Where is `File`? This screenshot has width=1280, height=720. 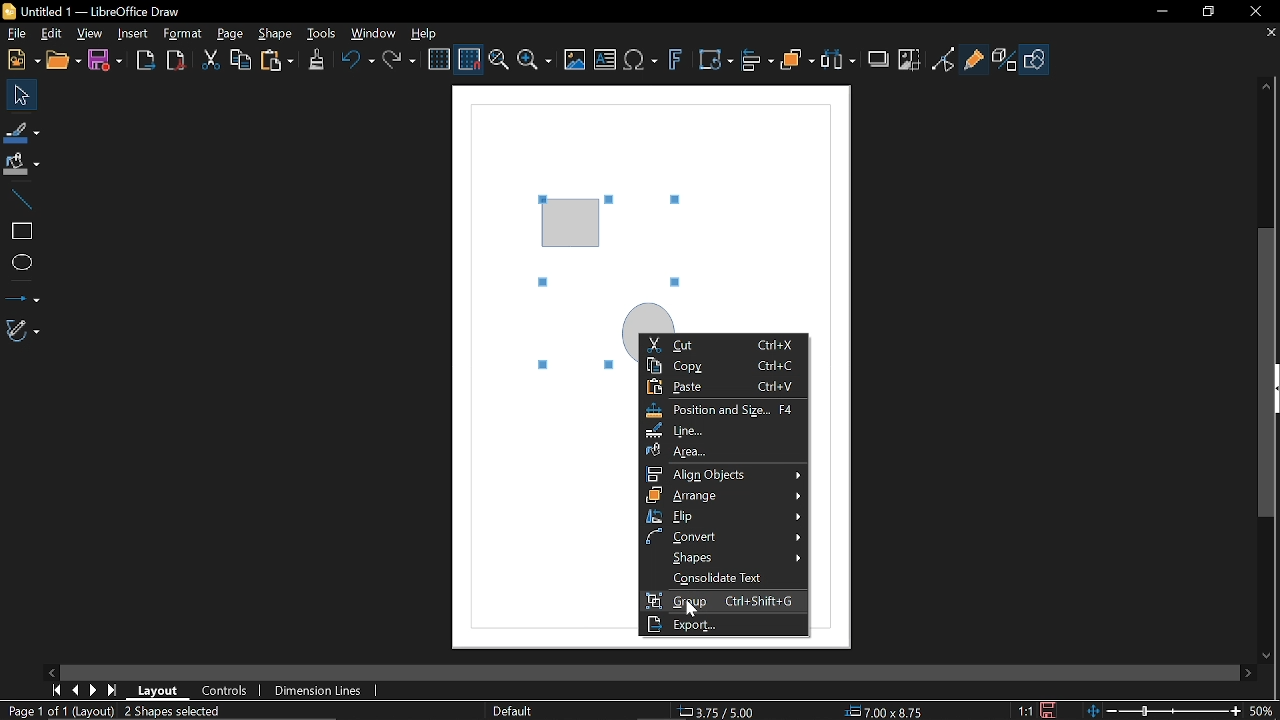 File is located at coordinates (18, 33).